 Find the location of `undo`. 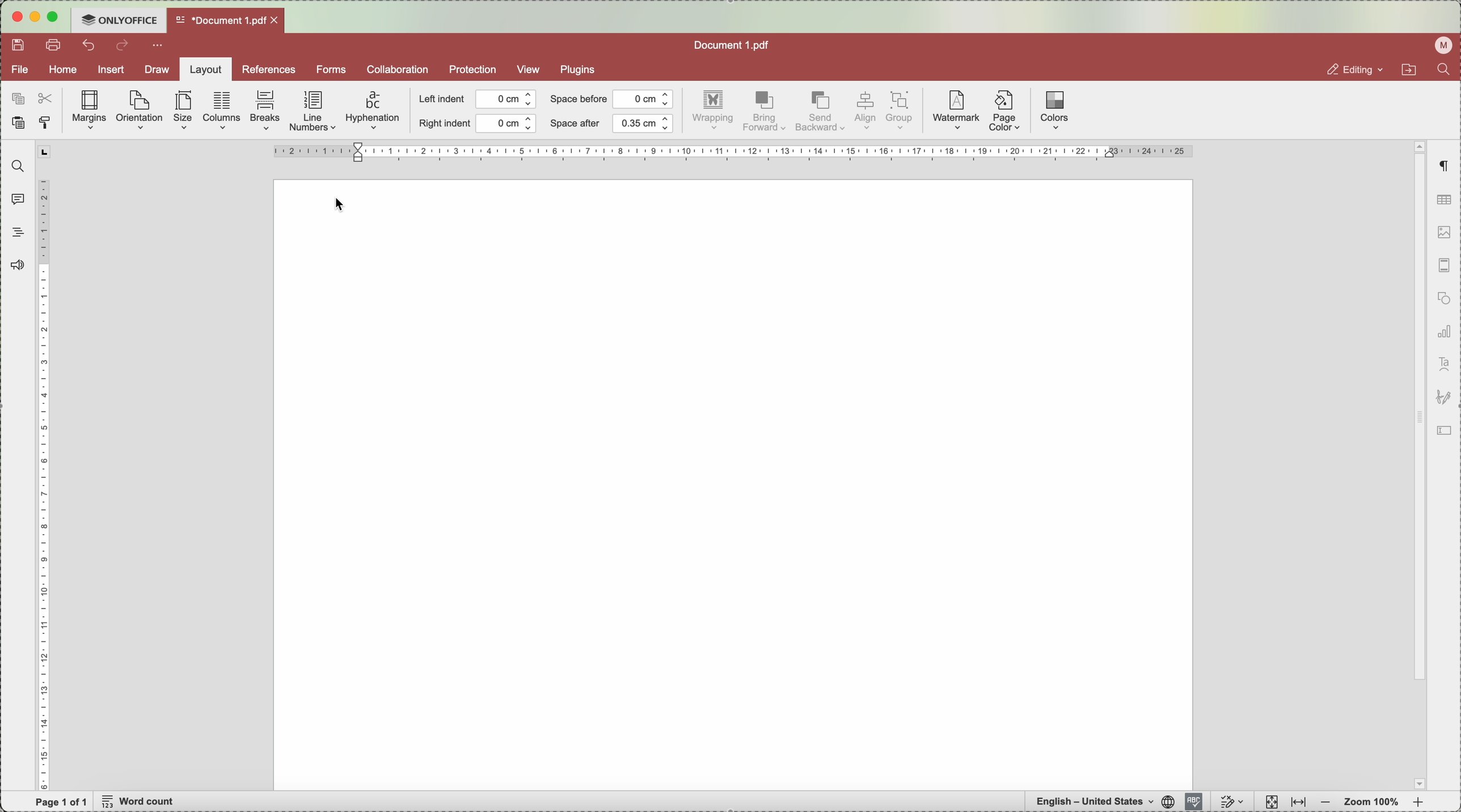

undo is located at coordinates (90, 45).